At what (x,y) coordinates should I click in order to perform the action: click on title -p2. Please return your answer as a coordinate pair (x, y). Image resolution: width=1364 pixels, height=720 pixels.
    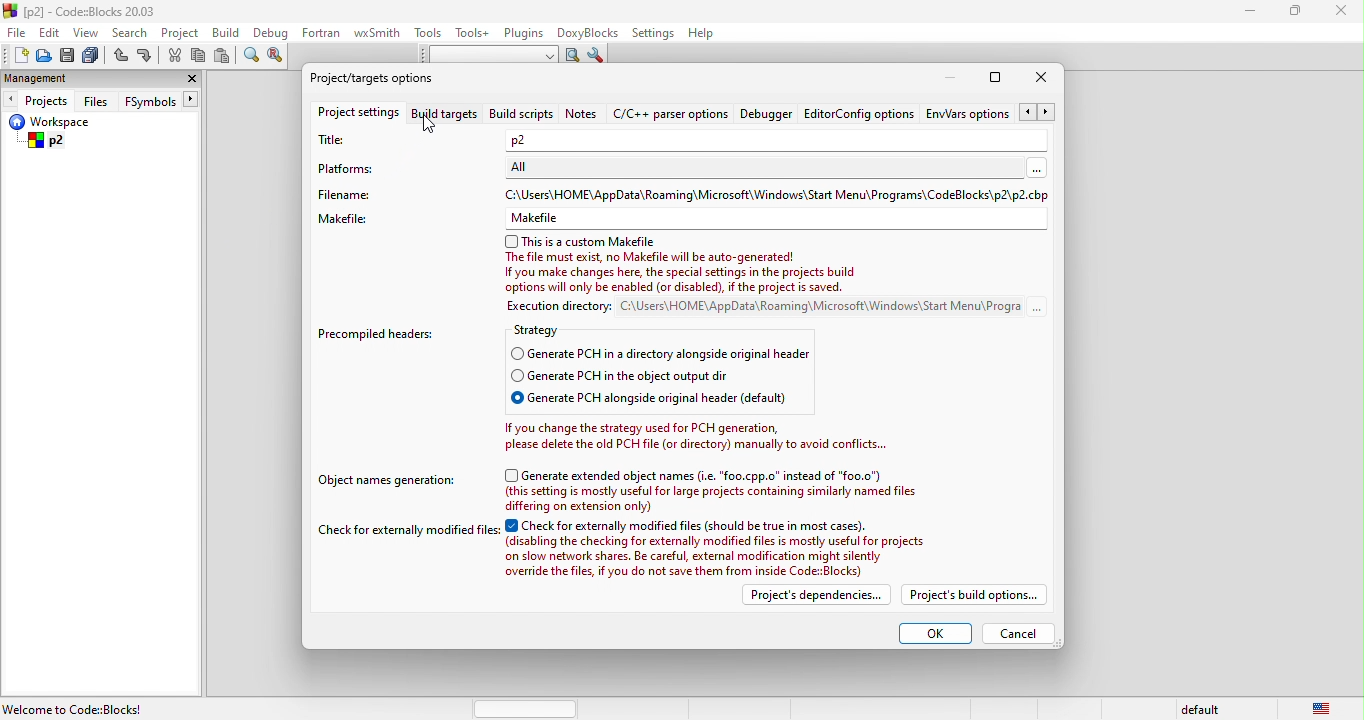
    Looking at the image, I should click on (684, 140).